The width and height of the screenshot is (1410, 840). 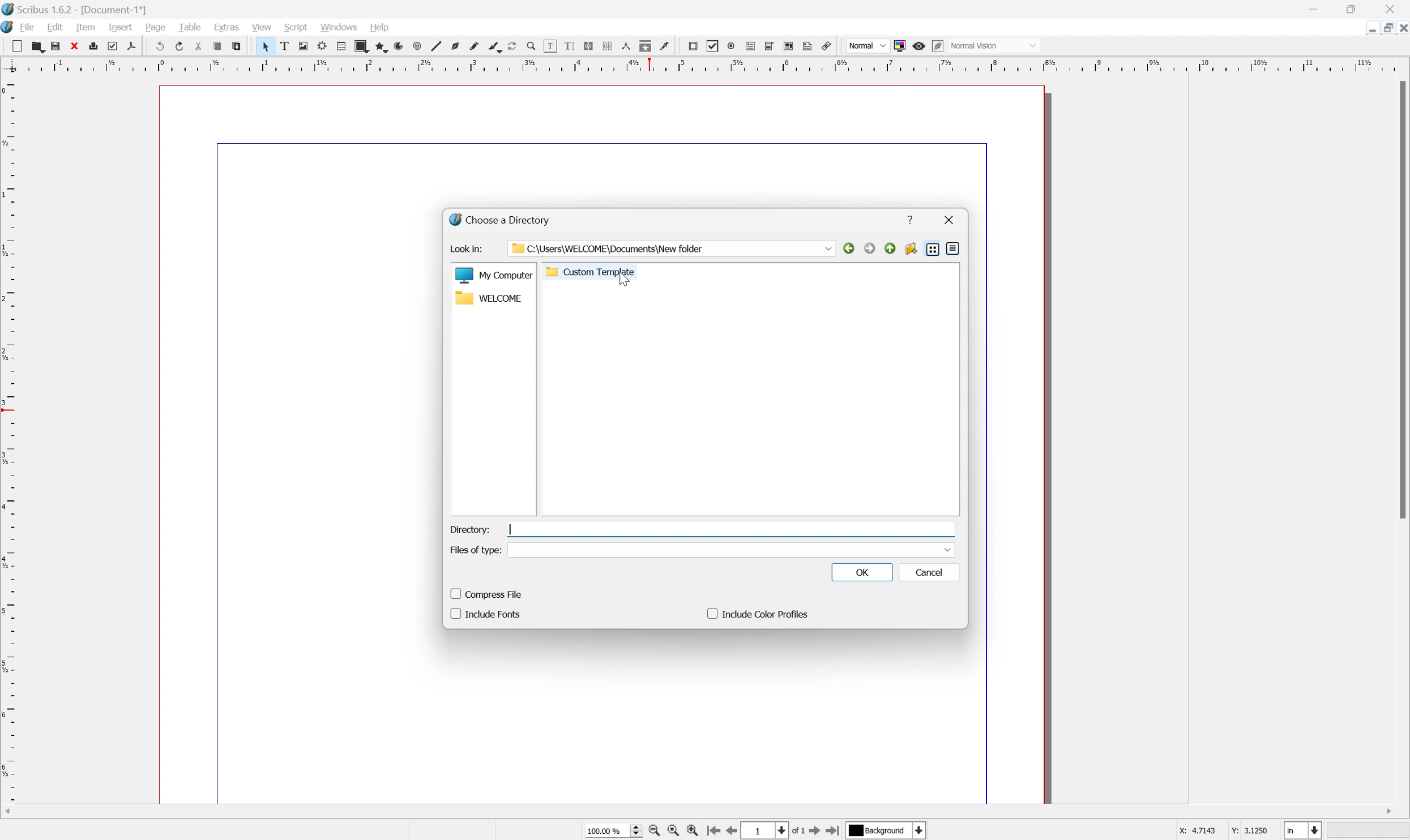 What do you see at coordinates (29, 26) in the screenshot?
I see `file` at bounding box center [29, 26].